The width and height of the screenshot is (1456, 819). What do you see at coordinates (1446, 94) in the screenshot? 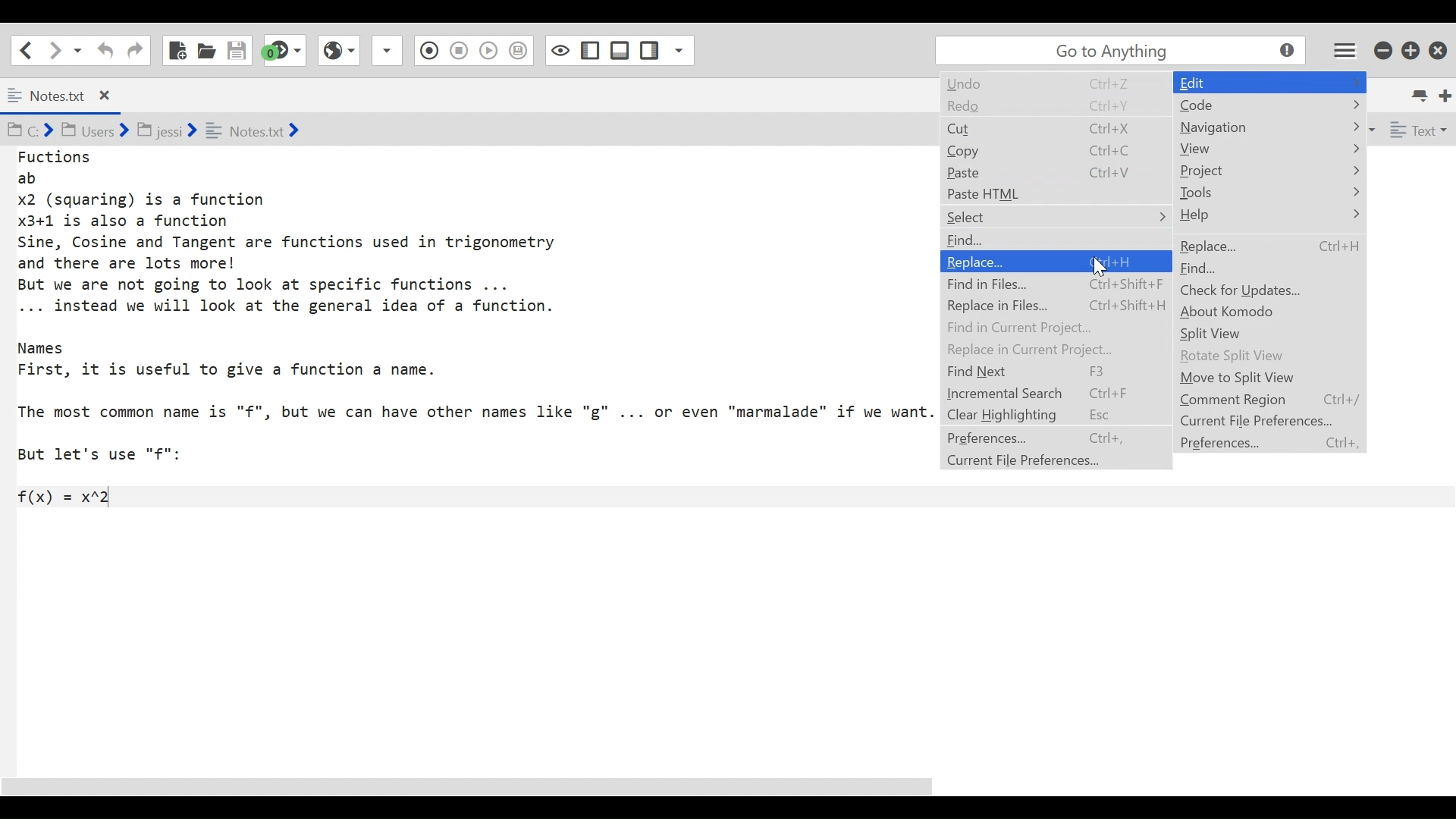
I see `New Tab` at bounding box center [1446, 94].